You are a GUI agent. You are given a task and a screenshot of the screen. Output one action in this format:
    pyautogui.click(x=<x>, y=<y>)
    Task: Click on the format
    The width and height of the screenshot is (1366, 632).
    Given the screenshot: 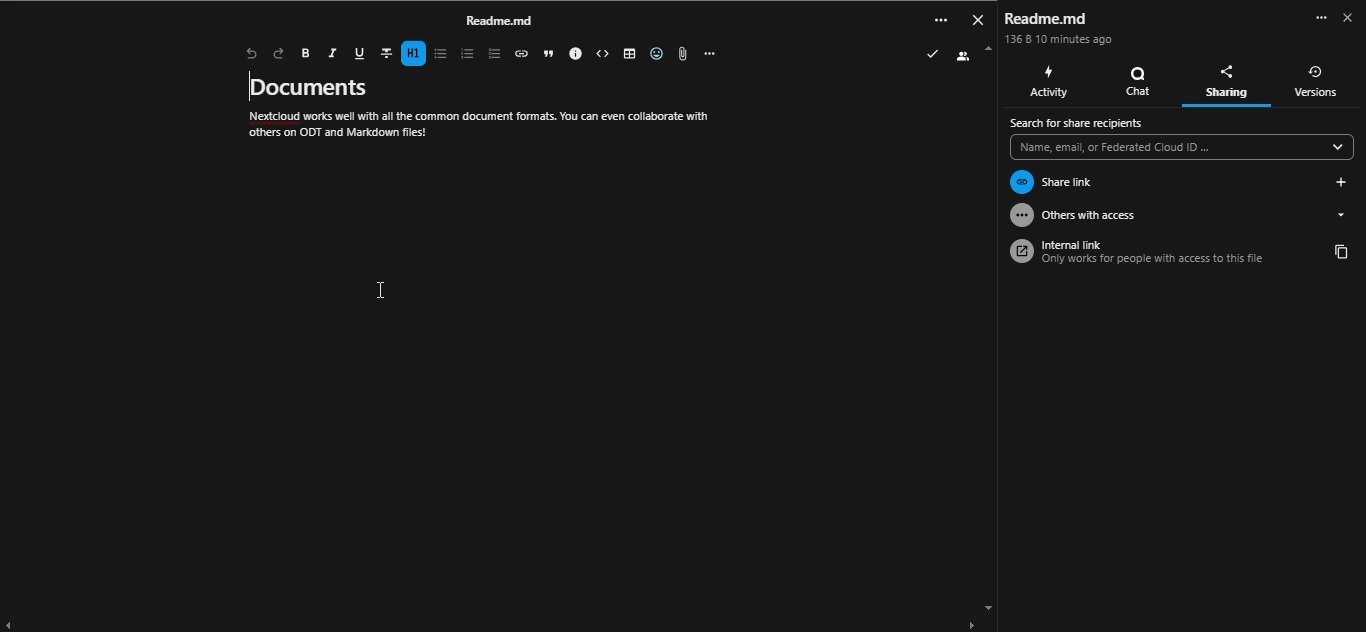 What is the action you would take?
    pyautogui.click(x=385, y=52)
    